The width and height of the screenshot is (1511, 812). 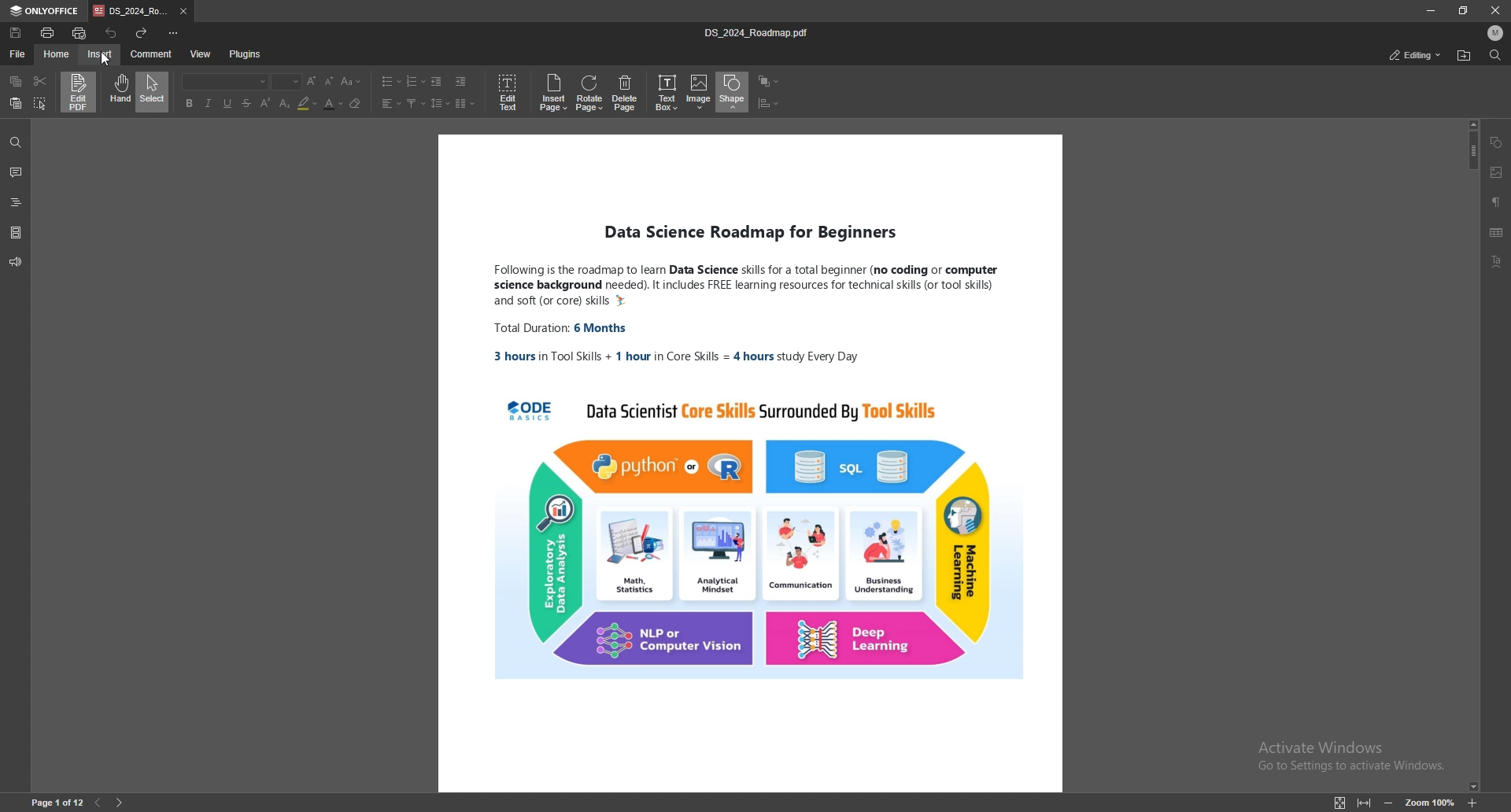 What do you see at coordinates (1501, 261) in the screenshot?
I see `text art` at bounding box center [1501, 261].